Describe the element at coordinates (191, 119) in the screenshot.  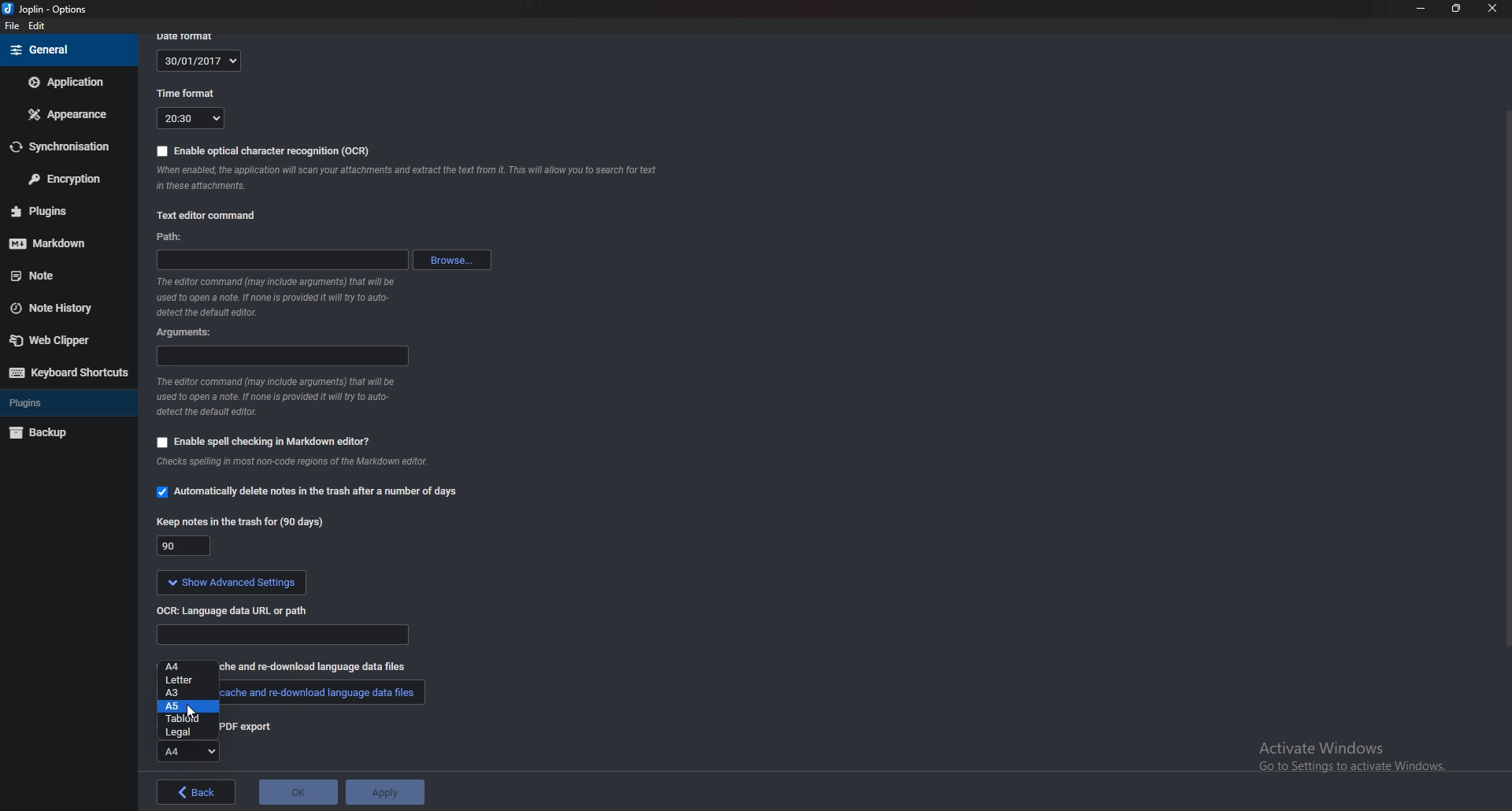
I see `20:30` at that location.